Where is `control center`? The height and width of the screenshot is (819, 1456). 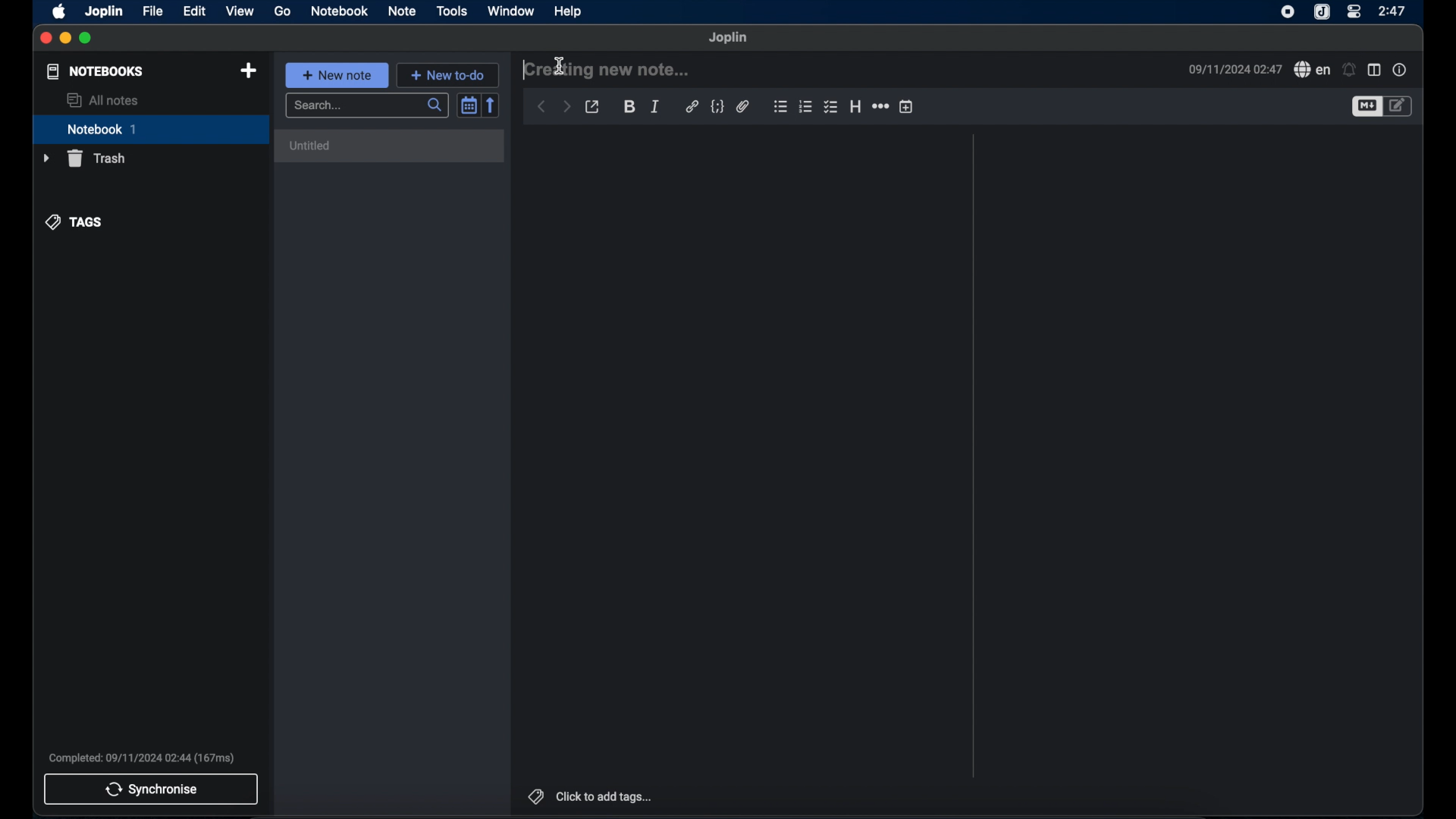 control center is located at coordinates (1355, 11).